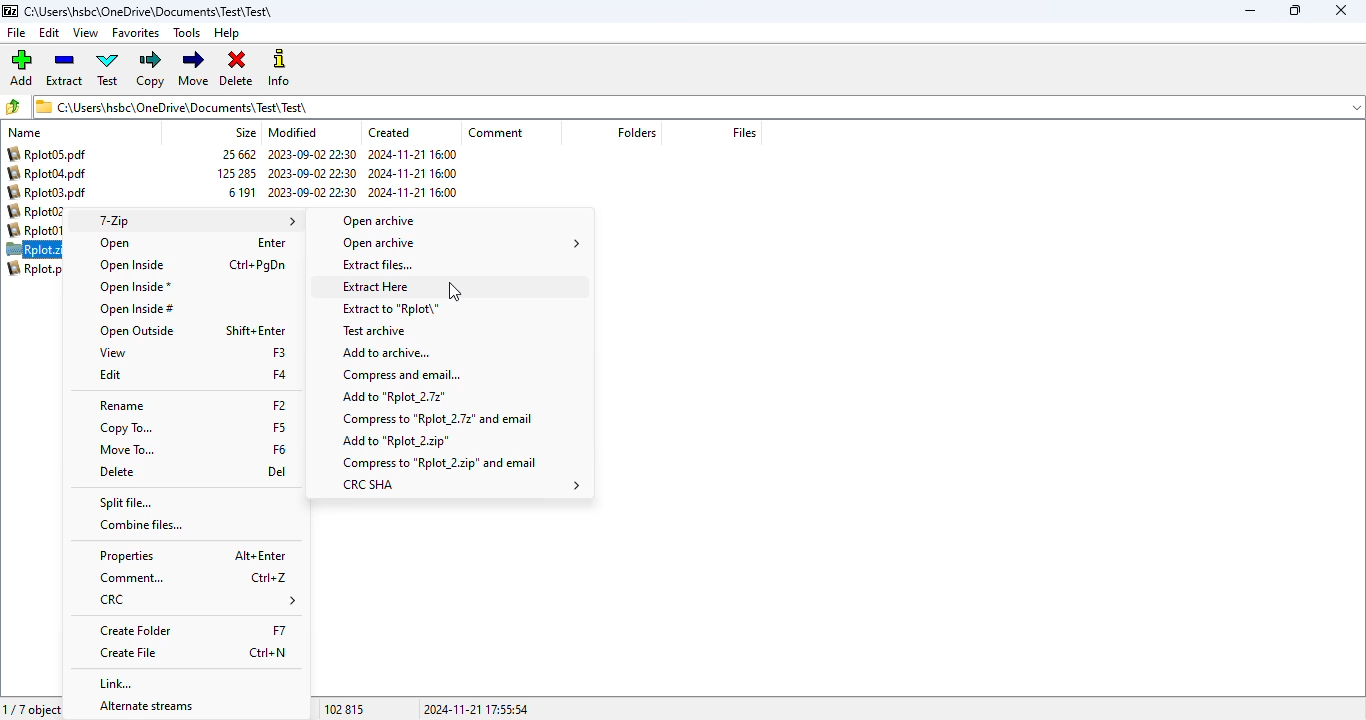 The height and width of the screenshot is (720, 1366). What do you see at coordinates (177, 106) in the screenshot?
I see `| C:\Users\hsbc\OneDrive\Documents\ Test\ Test\` at bounding box center [177, 106].